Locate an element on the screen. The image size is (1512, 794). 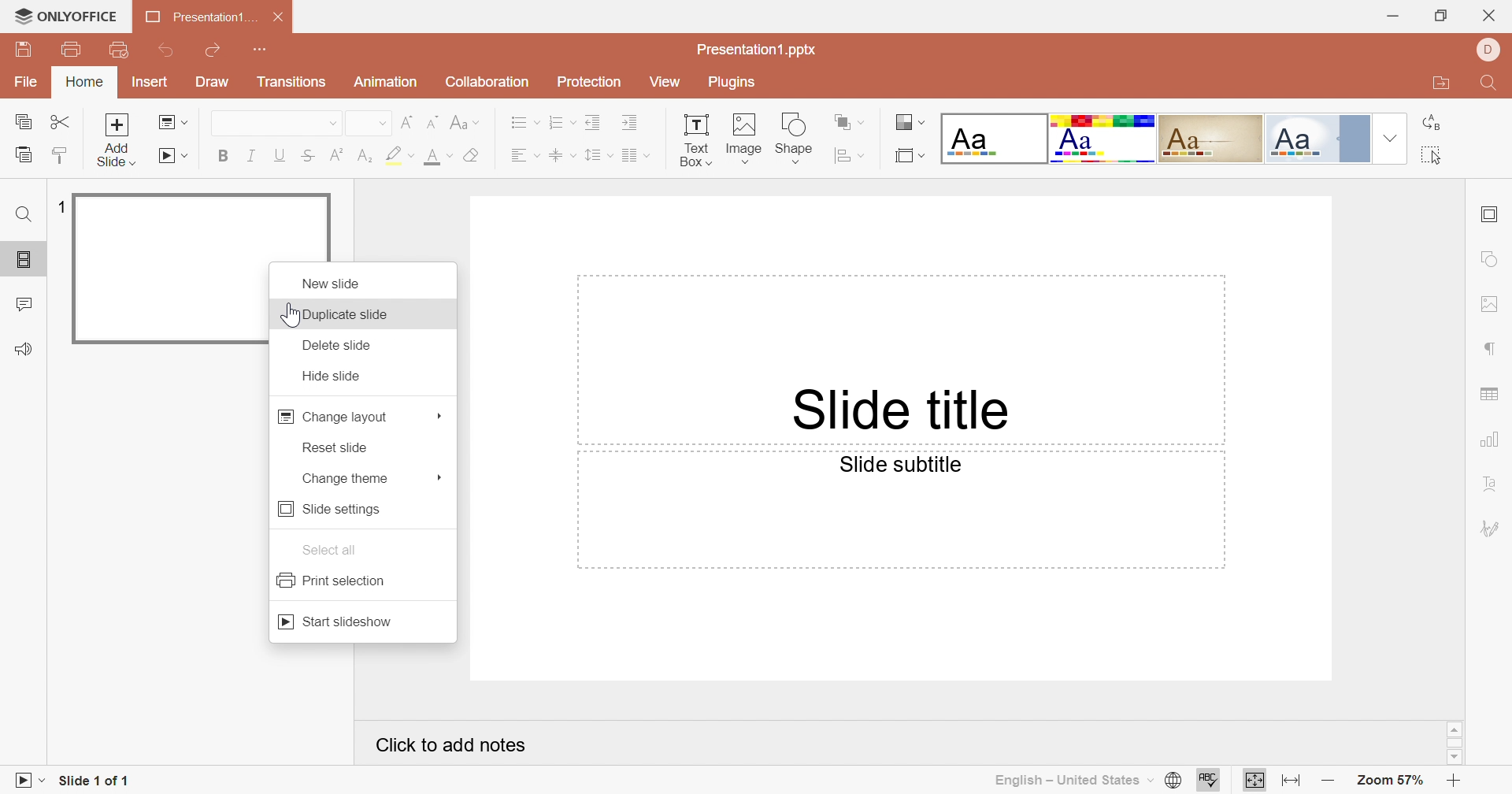
Align shape is located at coordinates (842, 155).